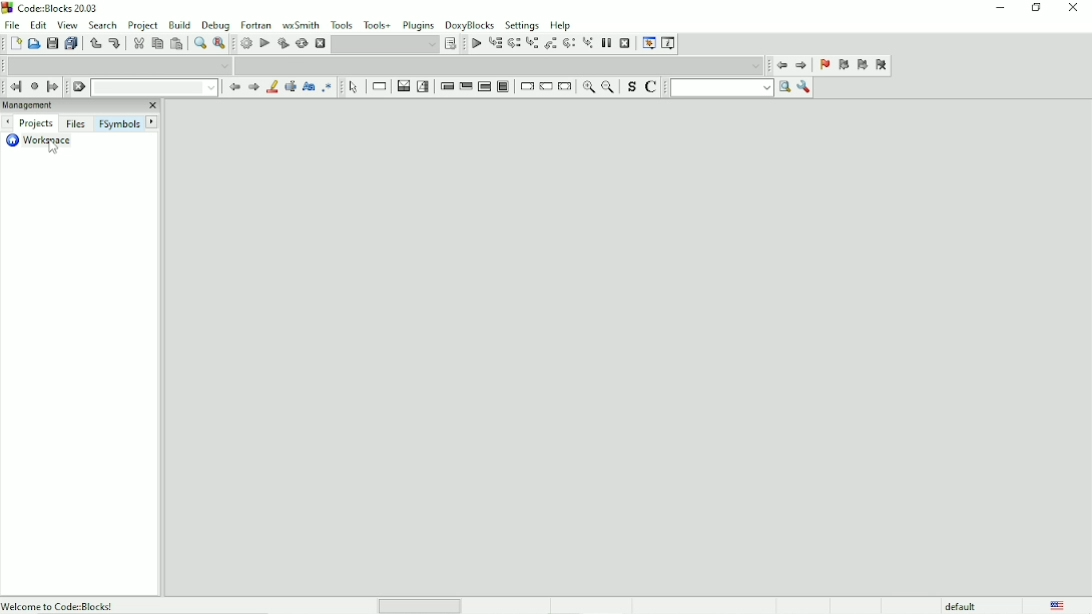 This screenshot has width=1092, height=614. What do you see at coordinates (588, 44) in the screenshot?
I see `Step into instruction` at bounding box center [588, 44].